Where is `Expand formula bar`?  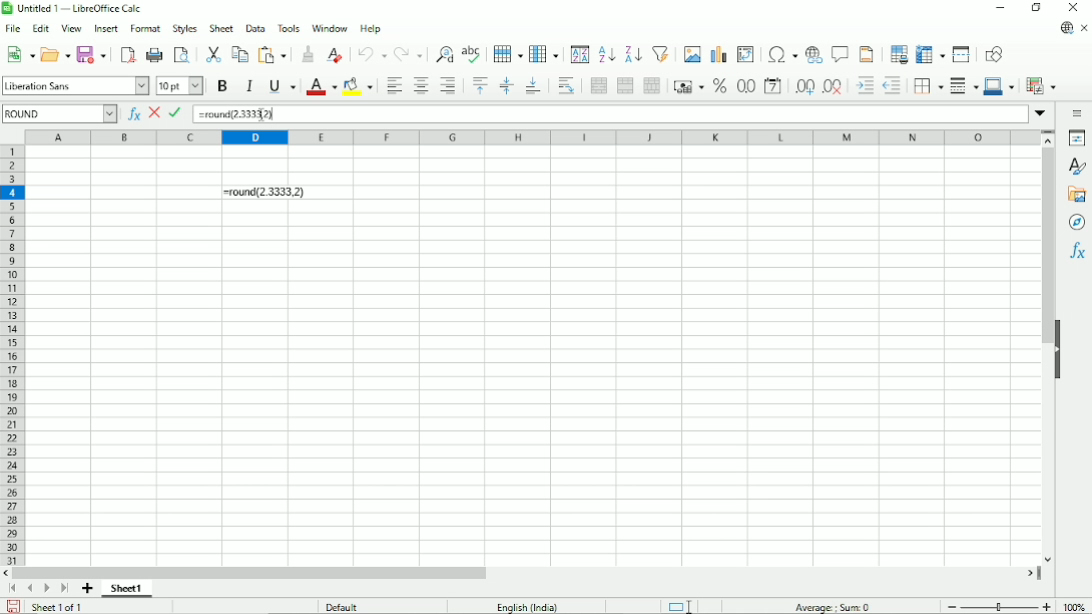 Expand formula bar is located at coordinates (1042, 113).